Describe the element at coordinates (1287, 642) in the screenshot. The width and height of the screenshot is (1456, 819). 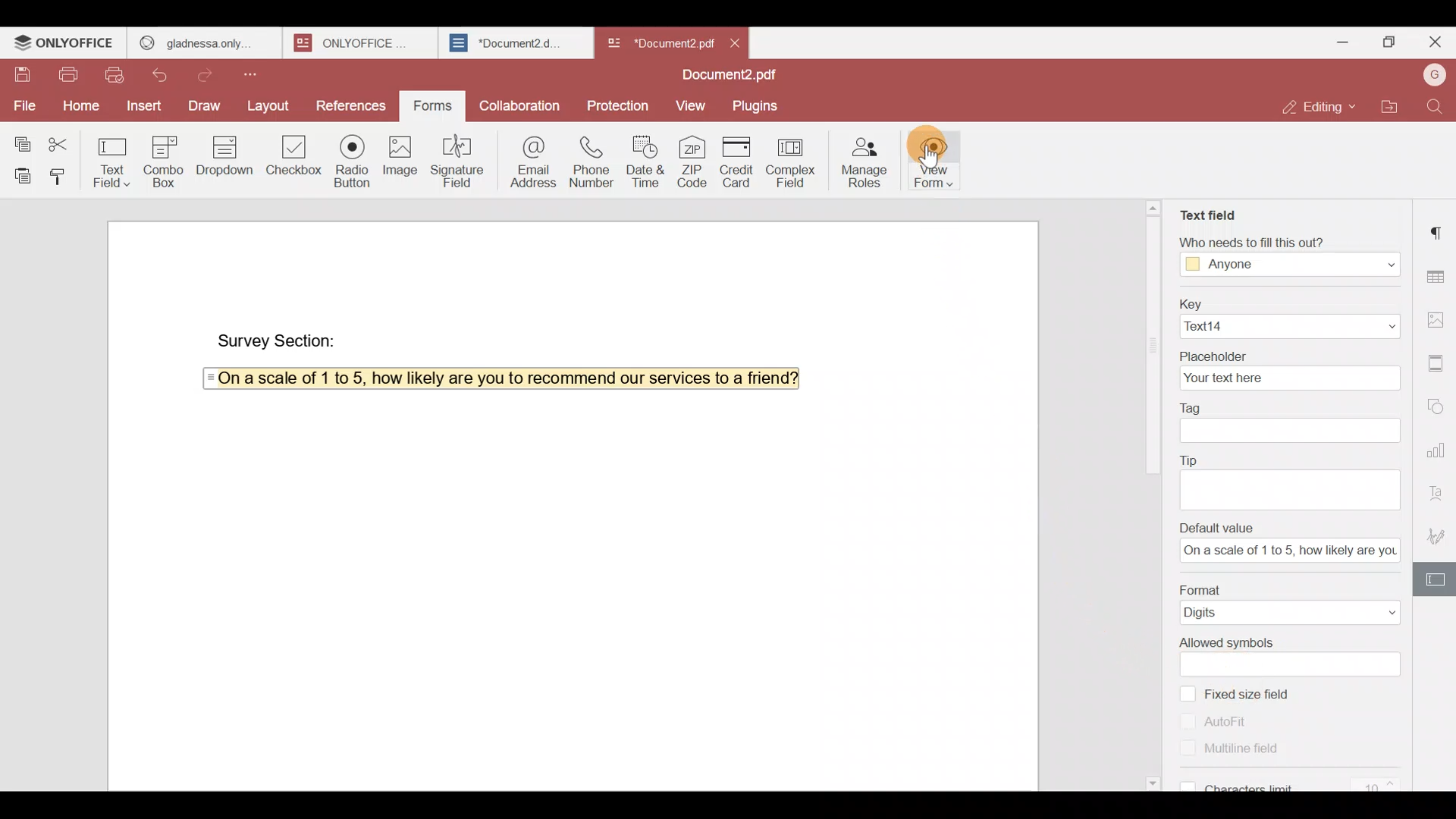
I see `Allowed symbols` at that location.